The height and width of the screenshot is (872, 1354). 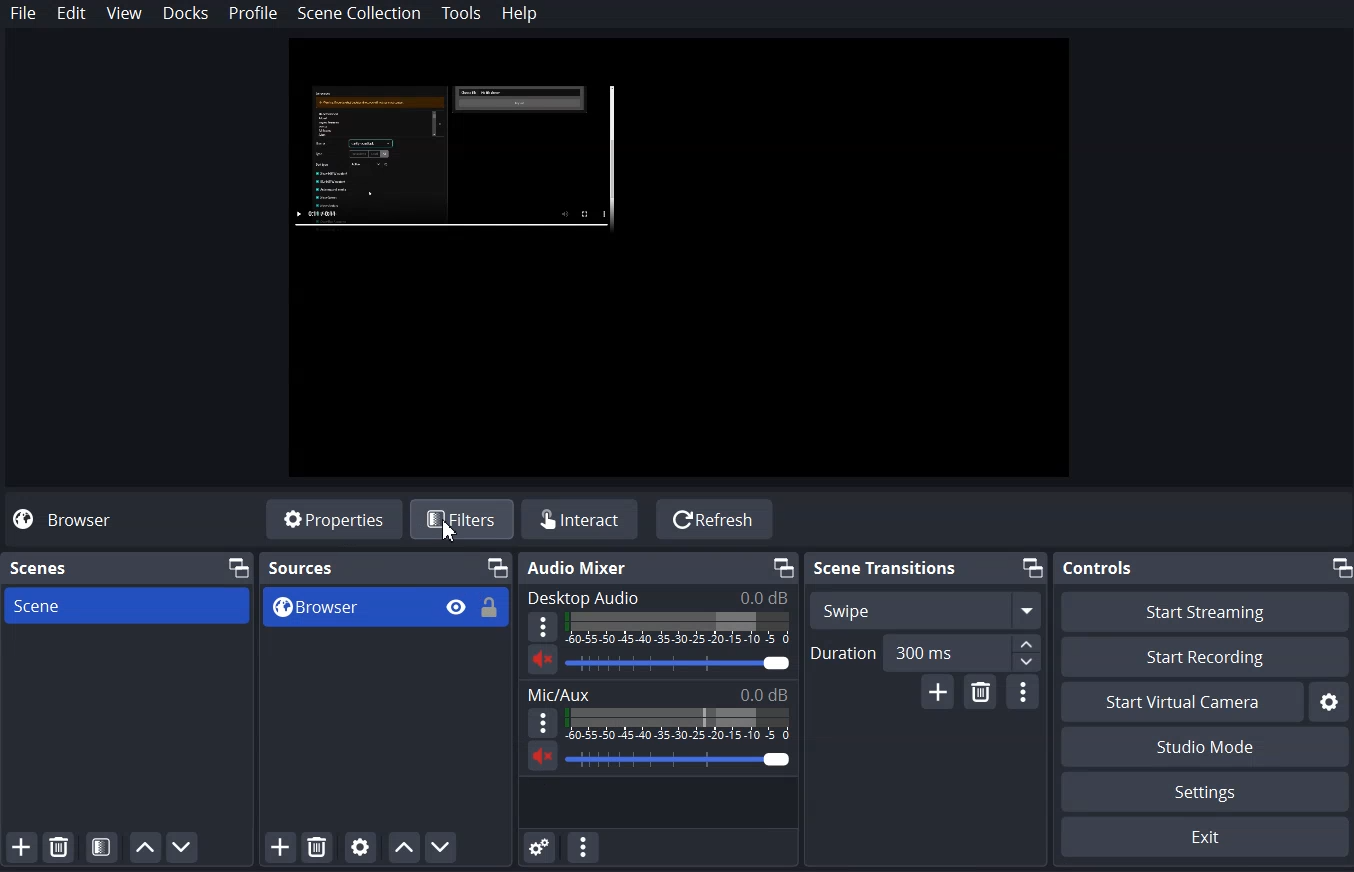 What do you see at coordinates (360, 848) in the screenshot?
I see `Open Source Properties` at bounding box center [360, 848].